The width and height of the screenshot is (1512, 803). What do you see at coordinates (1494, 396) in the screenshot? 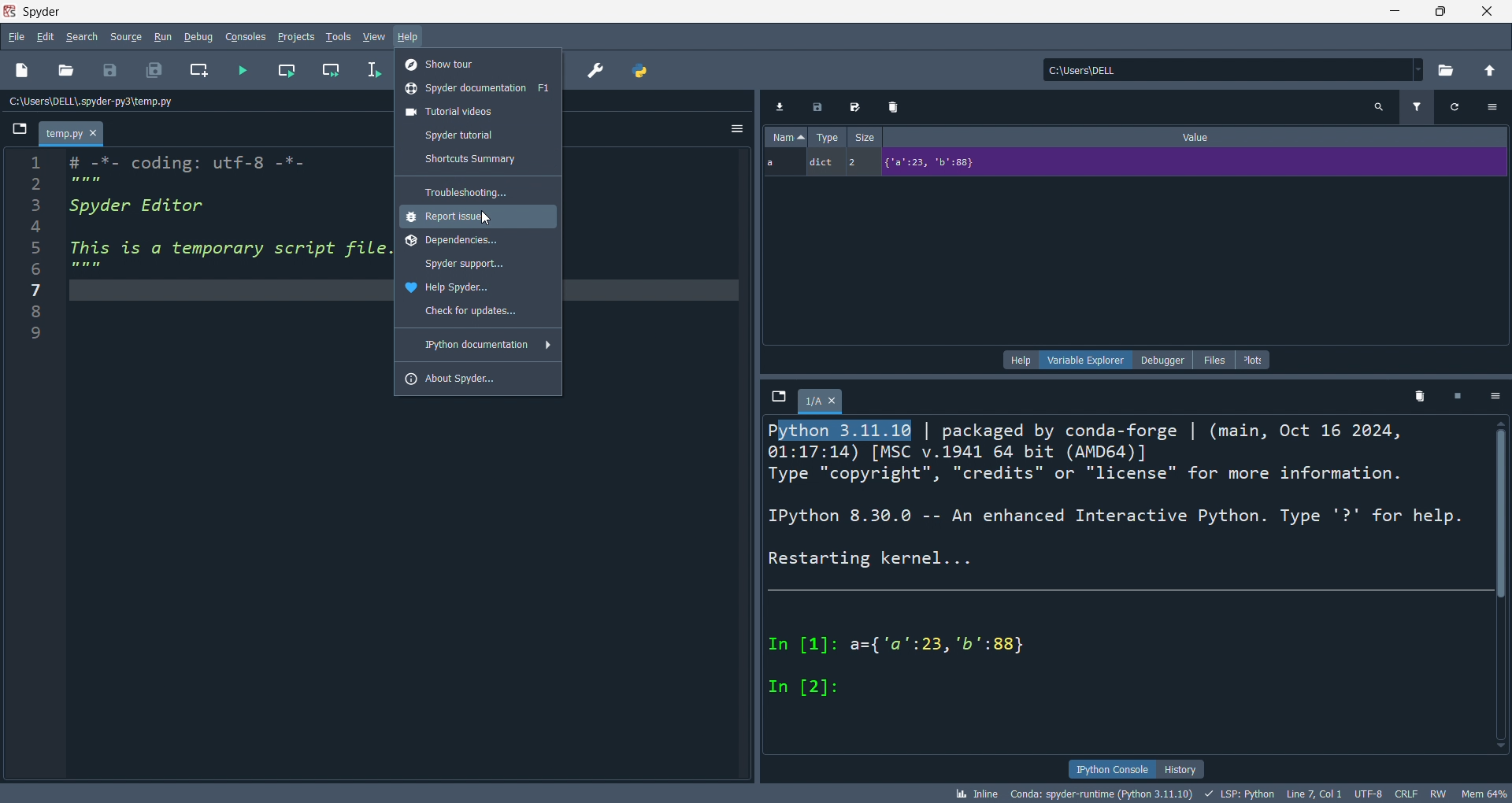
I see `Settings` at bounding box center [1494, 396].